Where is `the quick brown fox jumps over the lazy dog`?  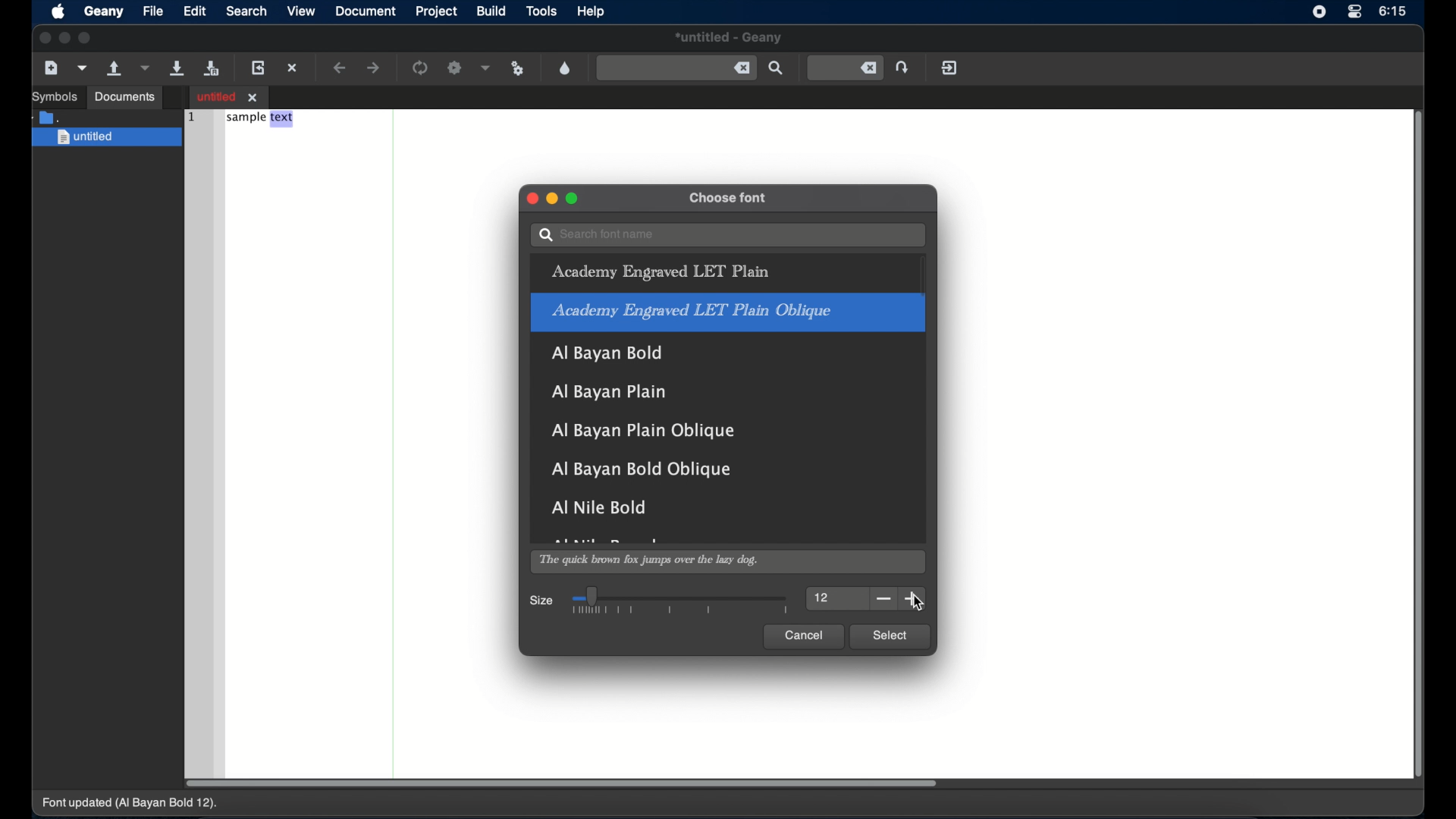
the quick brown fox jumps over the lazy dog is located at coordinates (651, 562).